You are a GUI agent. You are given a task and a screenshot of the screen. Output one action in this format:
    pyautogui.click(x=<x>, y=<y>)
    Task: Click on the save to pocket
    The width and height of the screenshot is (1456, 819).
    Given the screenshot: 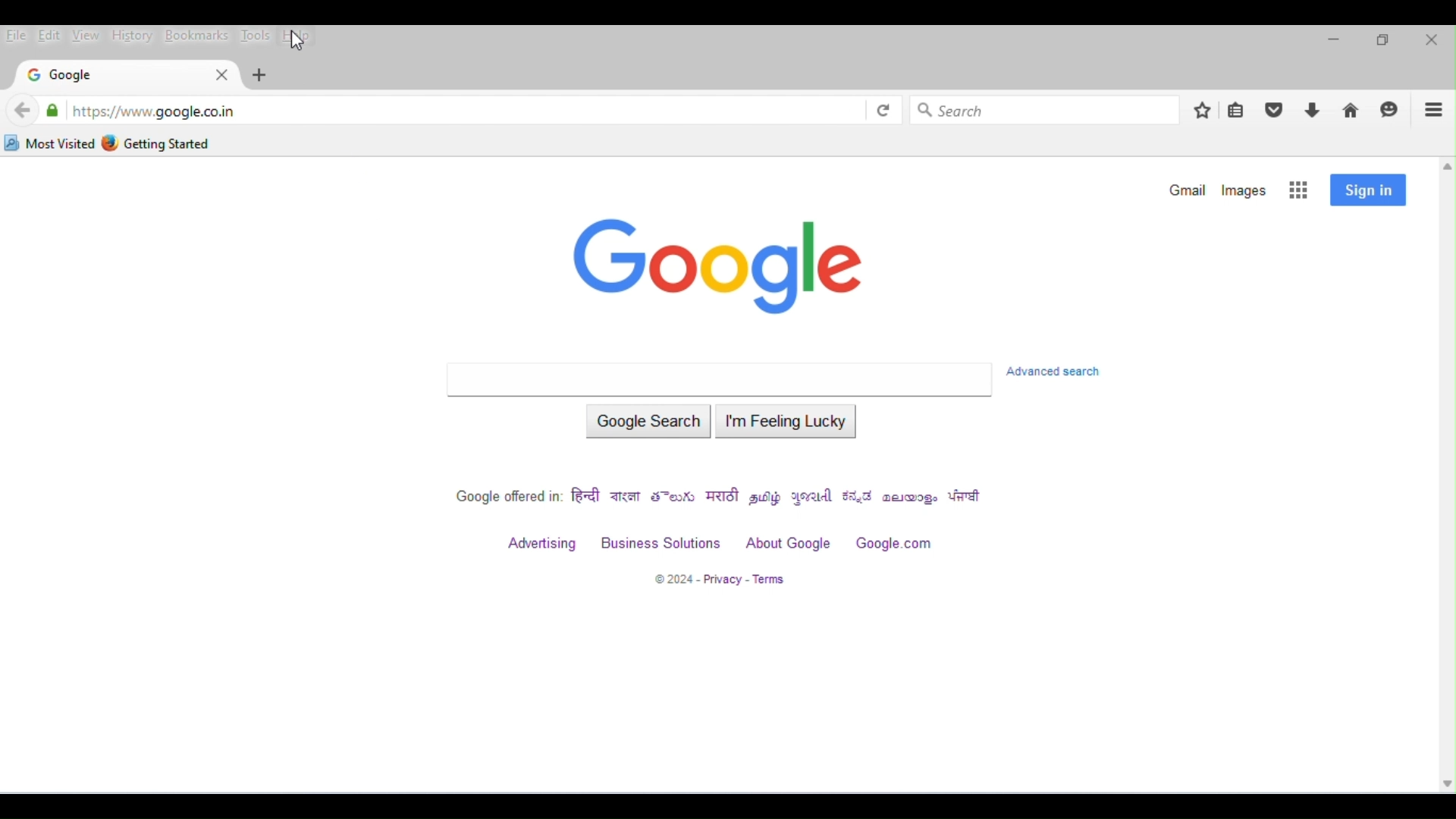 What is the action you would take?
    pyautogui.click(x=1276, y=110)
    